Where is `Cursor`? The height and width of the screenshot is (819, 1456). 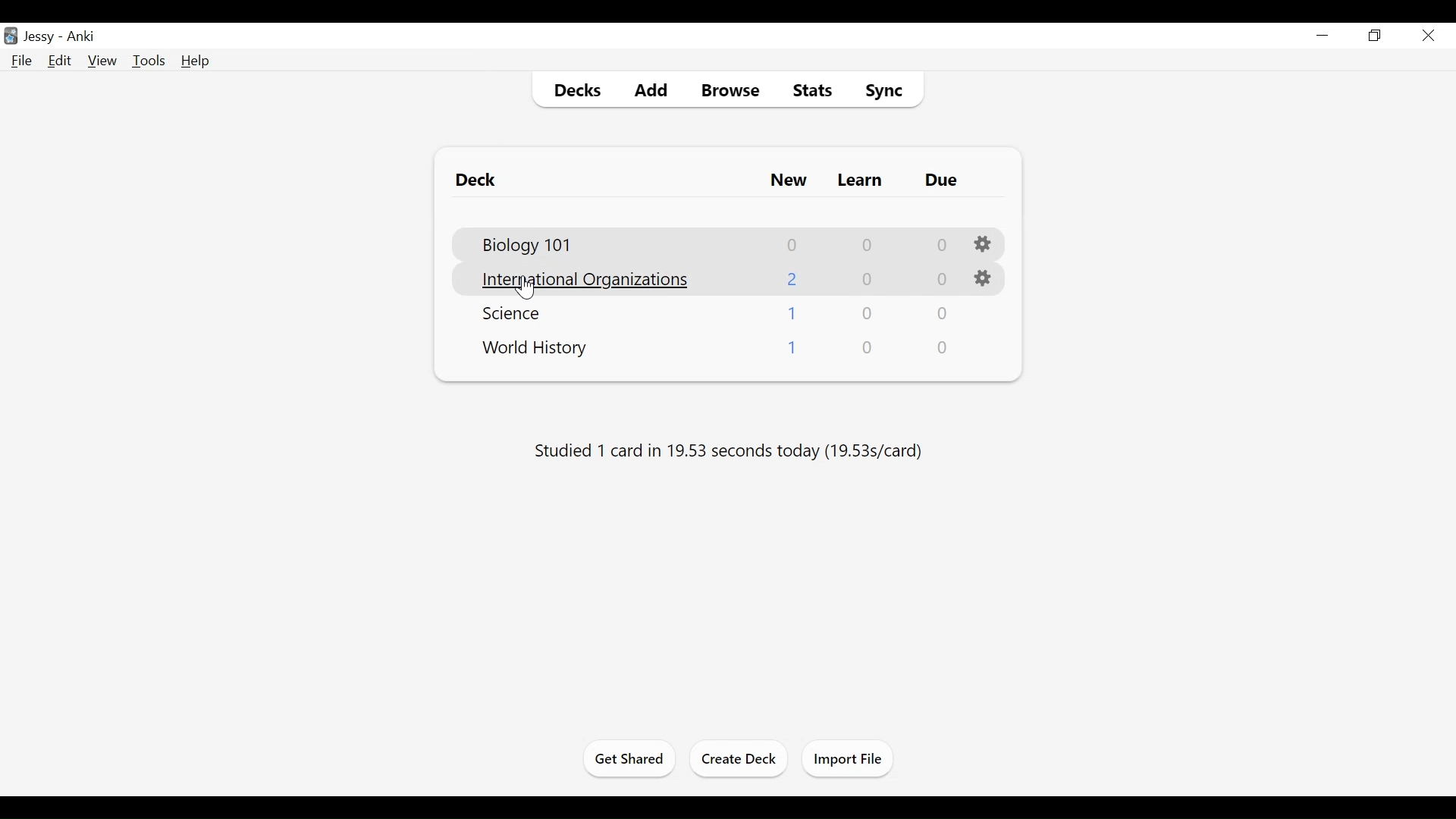
Cursor is located at coordinates (1427, 35).